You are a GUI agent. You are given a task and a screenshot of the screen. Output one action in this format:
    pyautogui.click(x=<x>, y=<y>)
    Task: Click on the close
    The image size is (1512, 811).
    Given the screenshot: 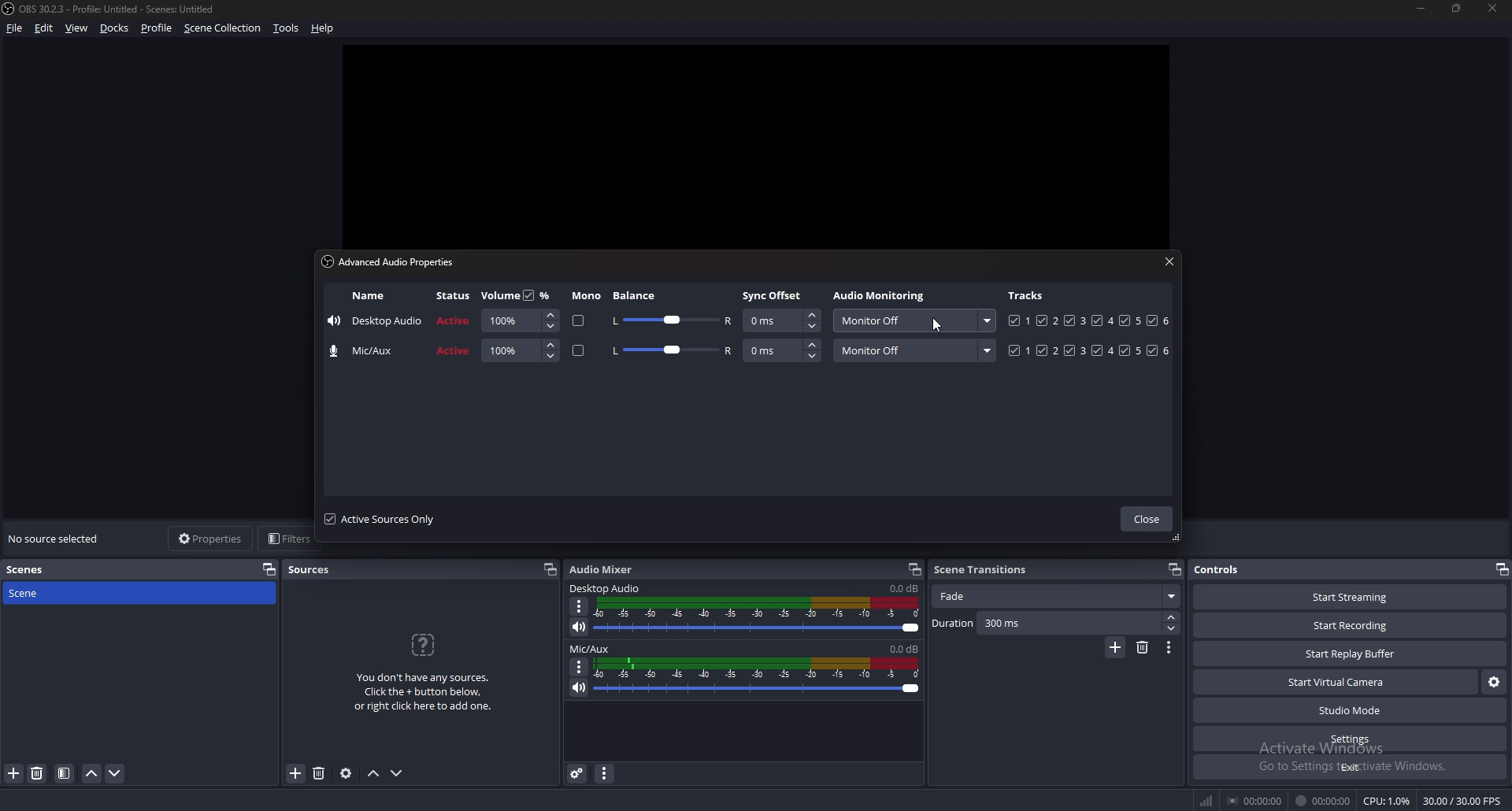 What is the action you would take?
    pyautogui.click(x=1169, y=263)
    